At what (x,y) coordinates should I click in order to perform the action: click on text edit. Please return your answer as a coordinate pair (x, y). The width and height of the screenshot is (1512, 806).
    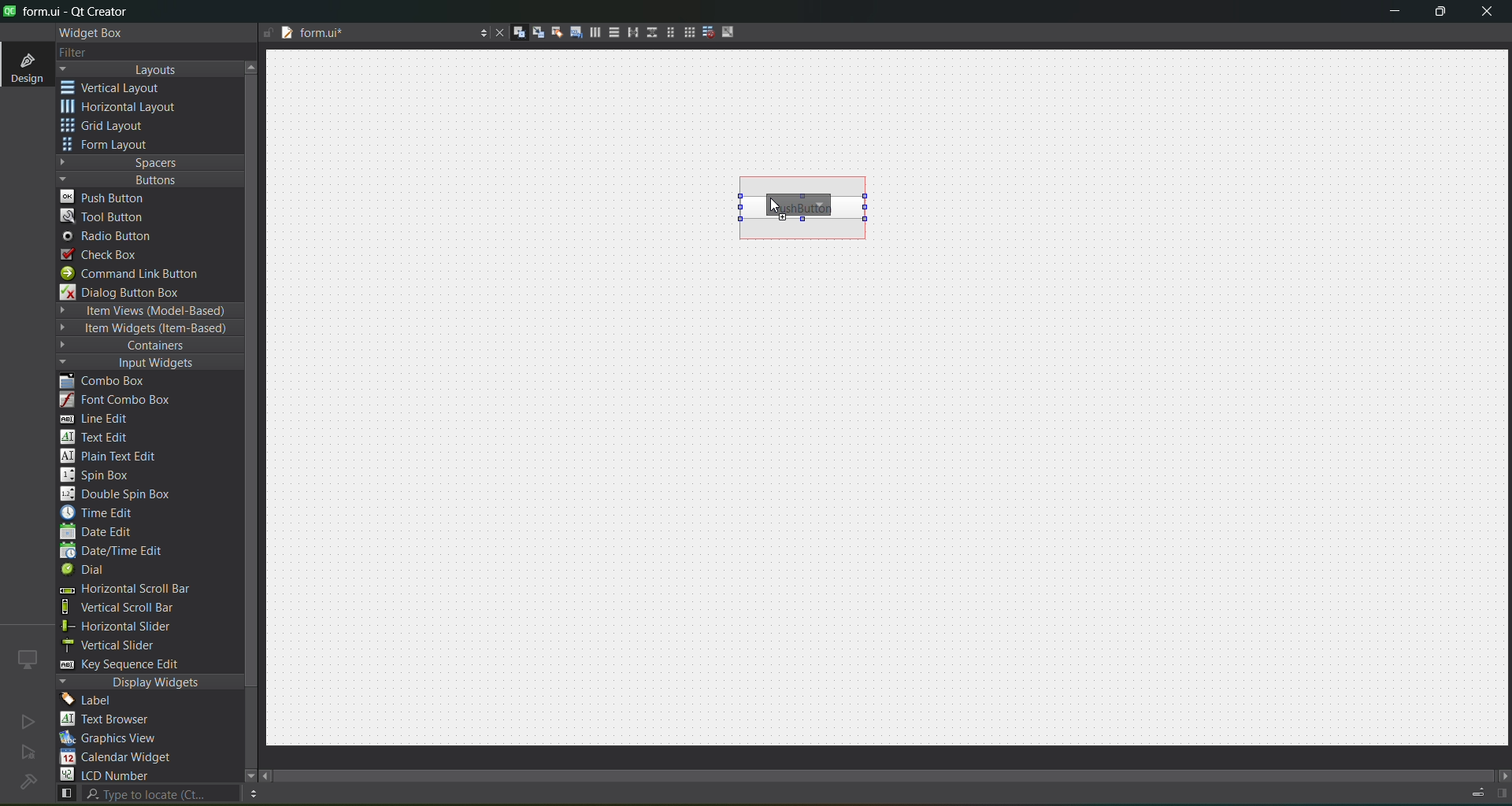
    Looking at the image, I should click on (99, 436).